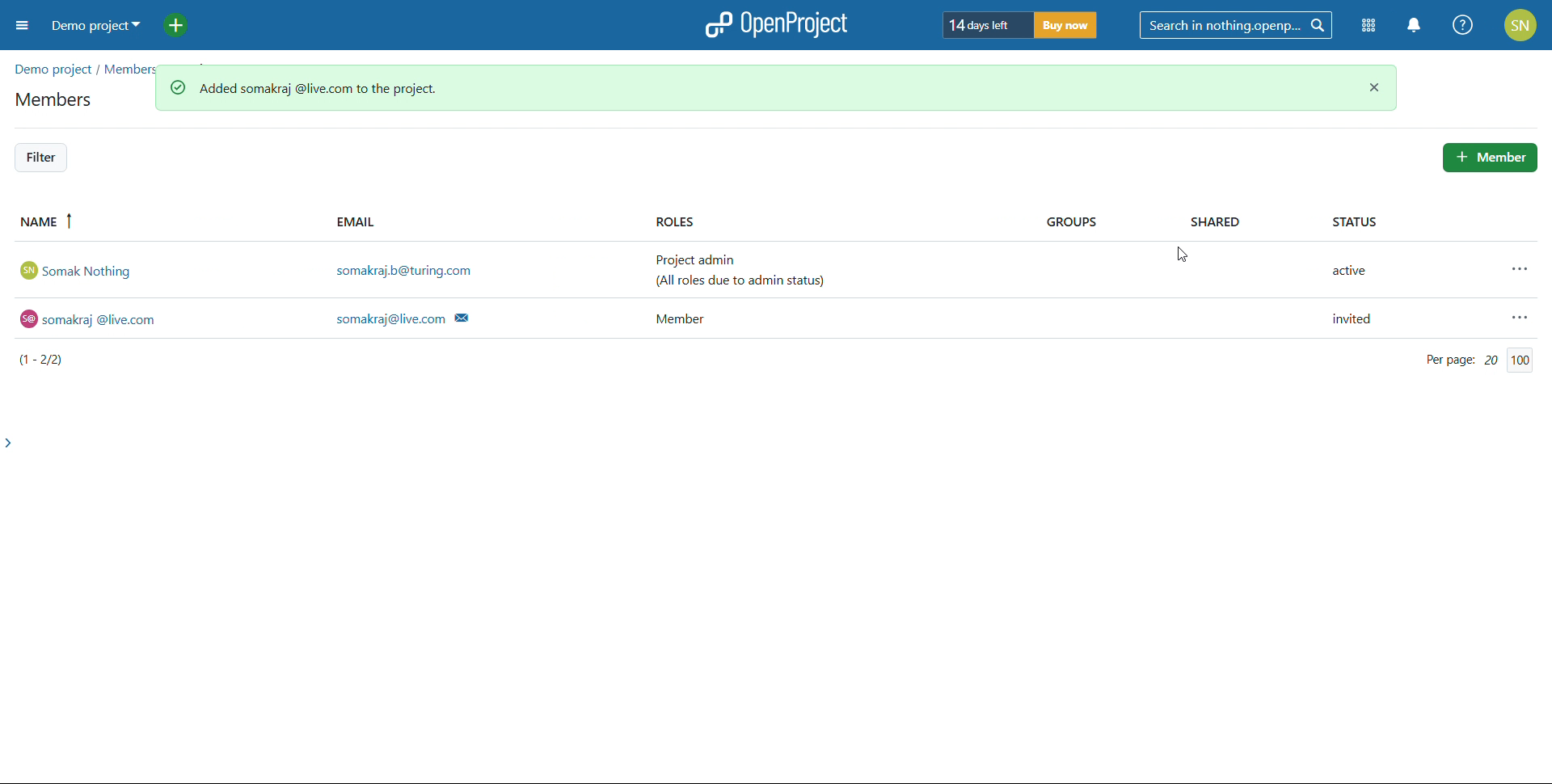 This screenshot has height=784, width=1552. What do you see at coordinates (359, 225) in the screenshot?
I see `EMAIL` at bounding box center [359, 225].